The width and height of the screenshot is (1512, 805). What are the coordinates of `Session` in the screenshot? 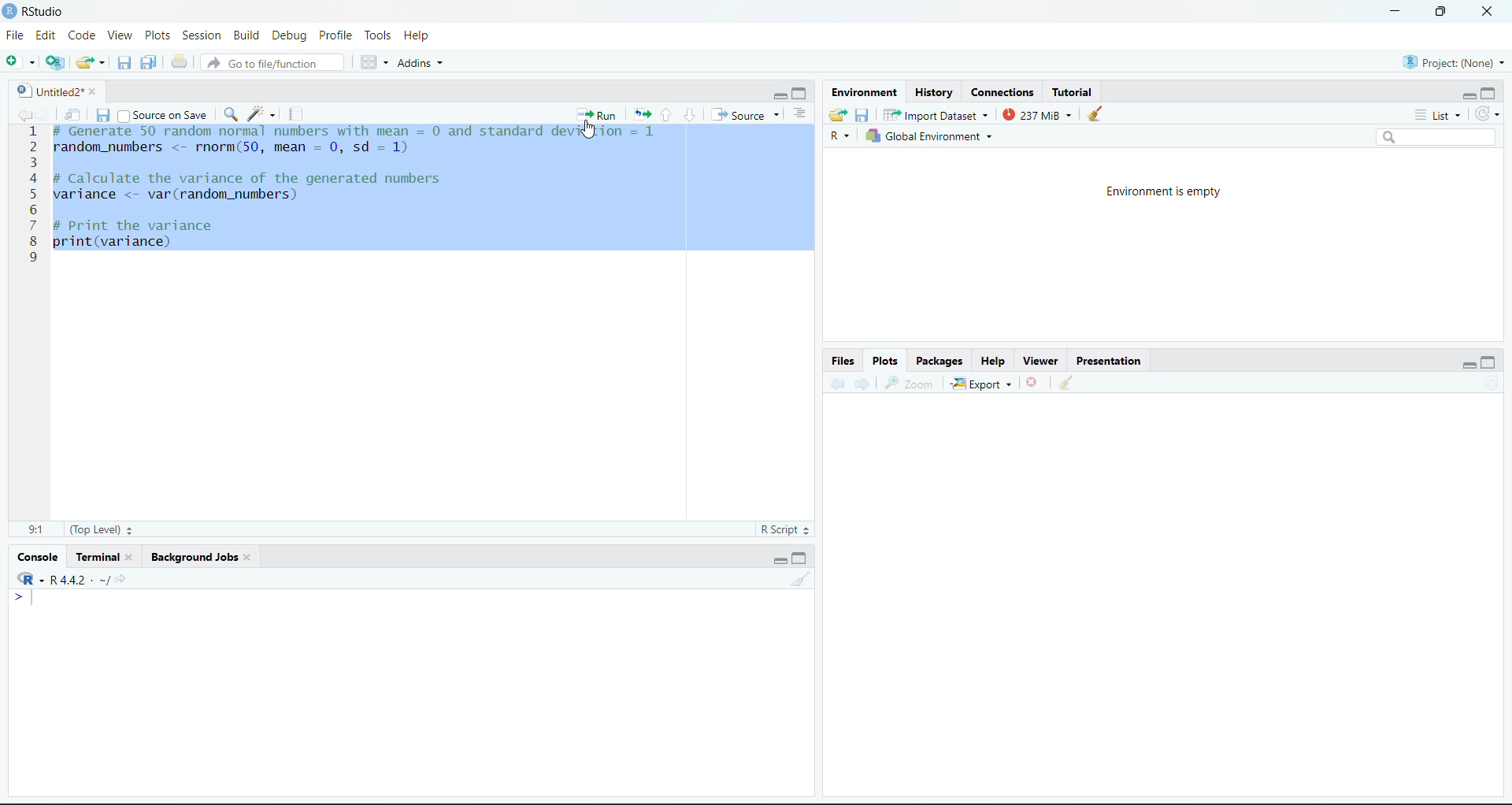 It's located at (202, 35).